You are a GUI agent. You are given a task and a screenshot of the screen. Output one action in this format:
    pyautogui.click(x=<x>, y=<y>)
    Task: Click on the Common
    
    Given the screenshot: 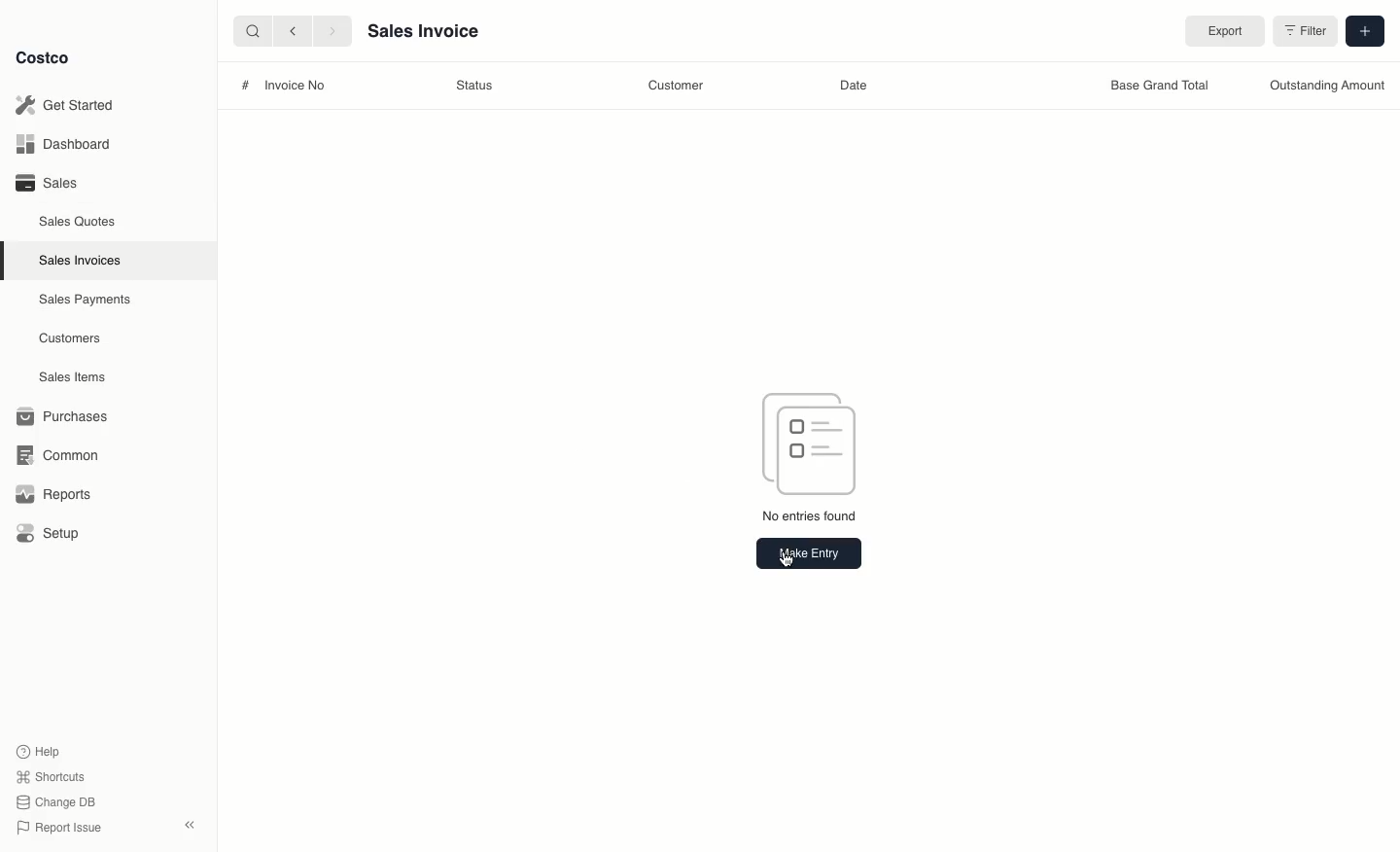 What is the action you would take?
    pyautogui.click(x=53, y=453)
    